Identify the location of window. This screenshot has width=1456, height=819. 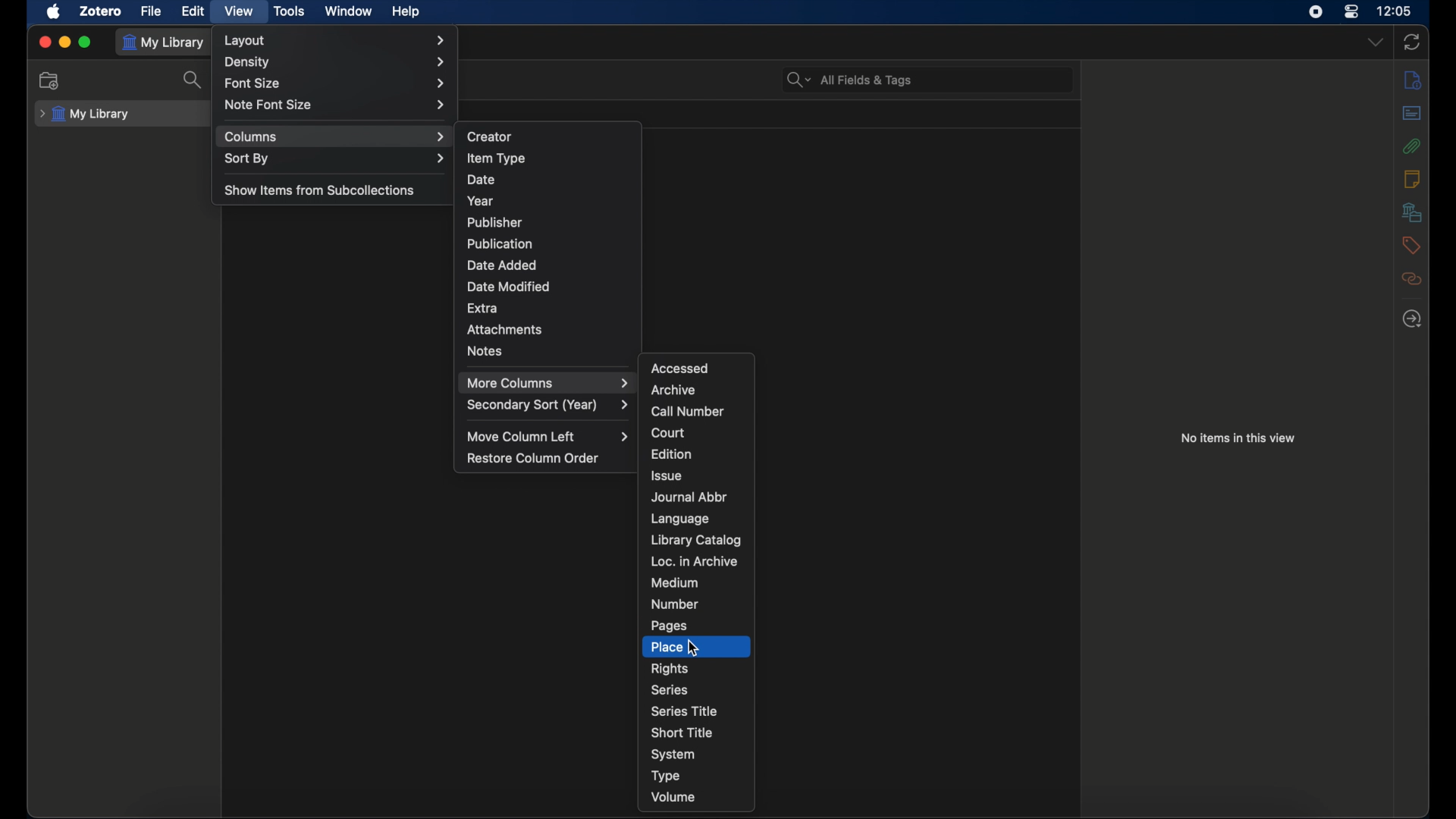
(347, 10).